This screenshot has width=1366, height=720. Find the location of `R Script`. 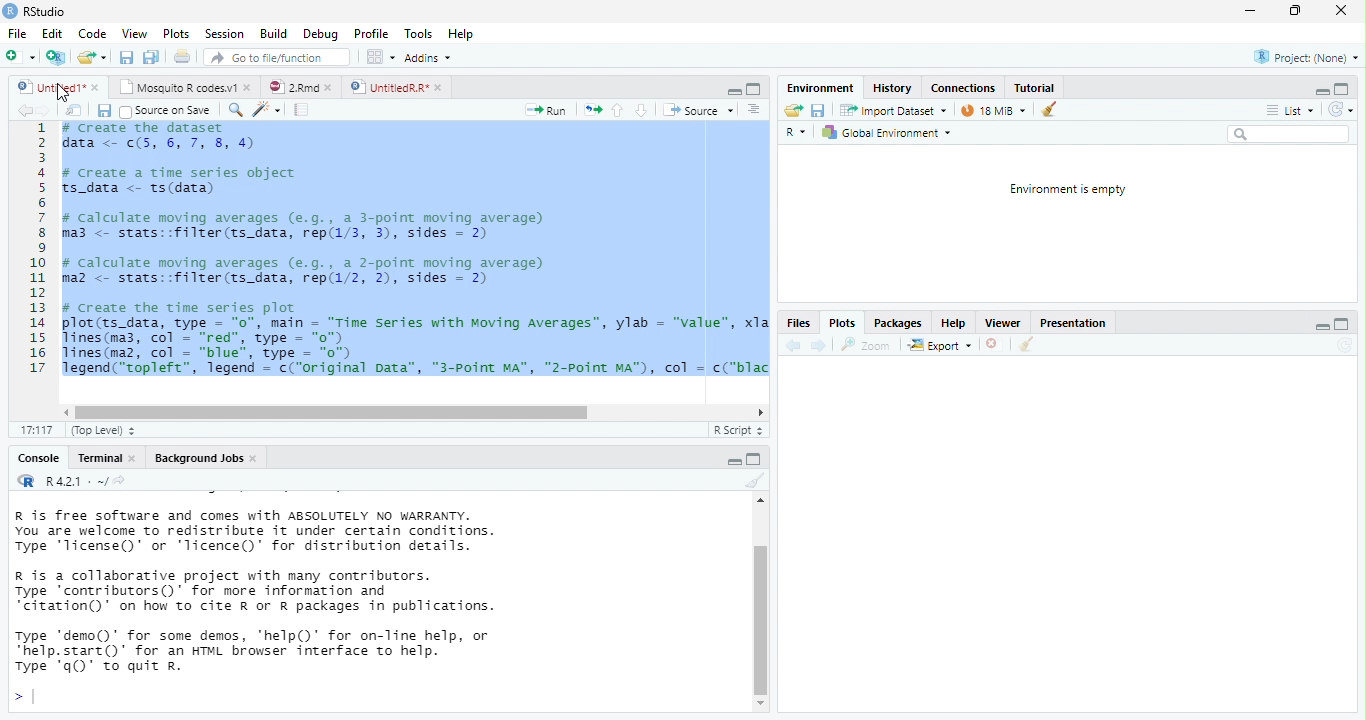

R Script is located at coordinates (736, 430).